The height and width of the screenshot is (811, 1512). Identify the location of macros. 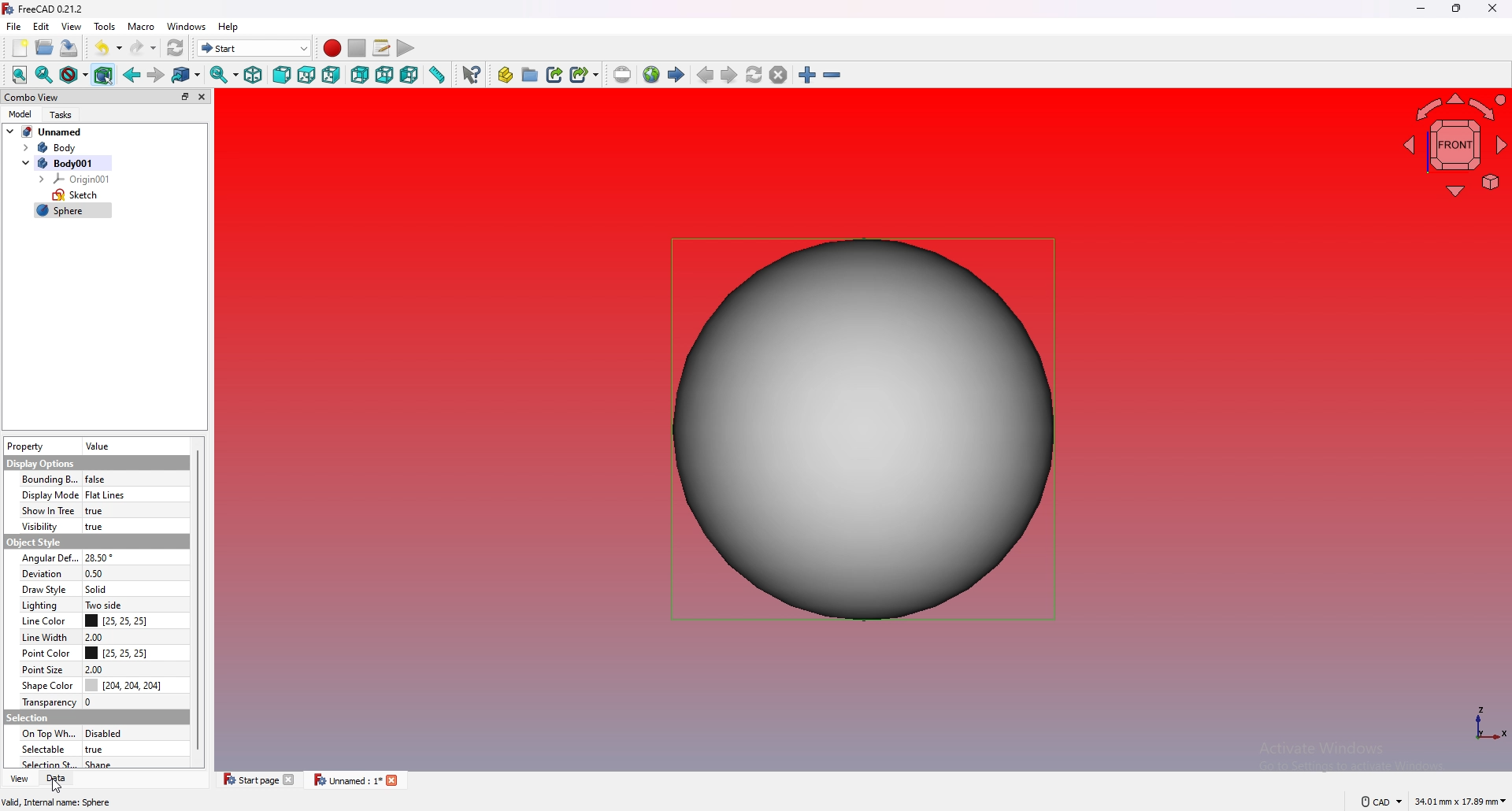
(381, 48).